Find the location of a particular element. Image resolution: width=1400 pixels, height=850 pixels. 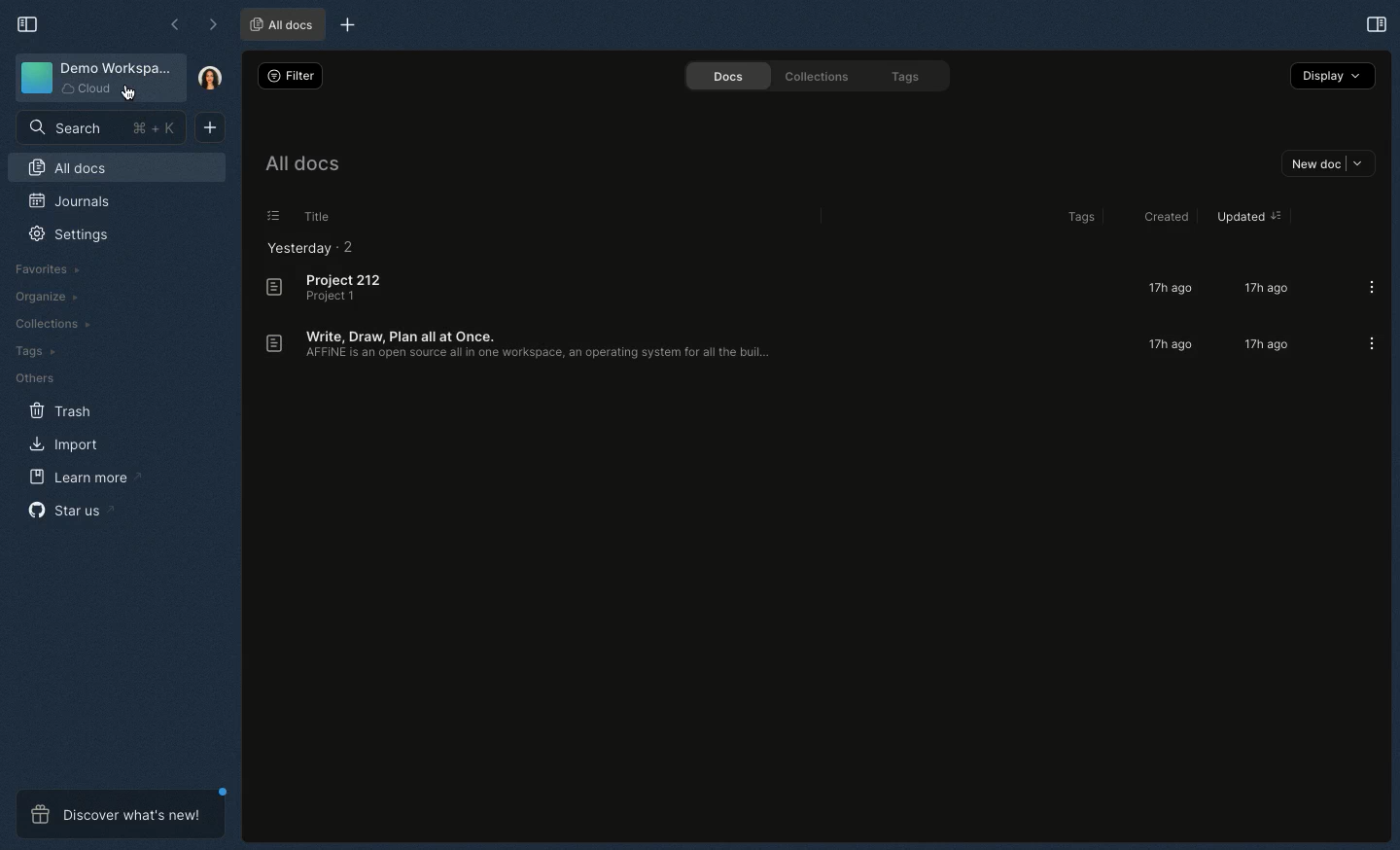

Discover what's new! is located at coordinates (118, 812).